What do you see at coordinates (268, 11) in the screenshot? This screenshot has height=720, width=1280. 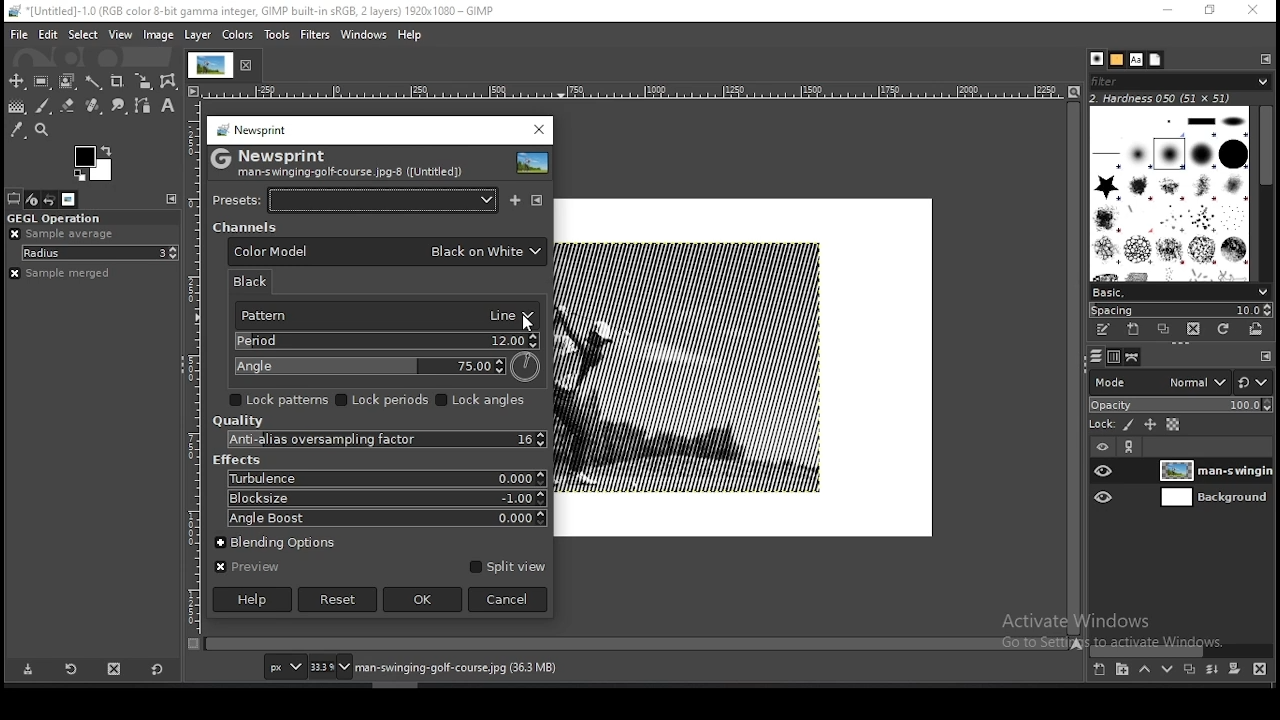 I see `*[Untitled]-1.0 (RGB color 8-bit gamma integer, GIMP built-in sRGB, 2 layers) 1920x1080 - GIMP` at bounding box center [268, 11].